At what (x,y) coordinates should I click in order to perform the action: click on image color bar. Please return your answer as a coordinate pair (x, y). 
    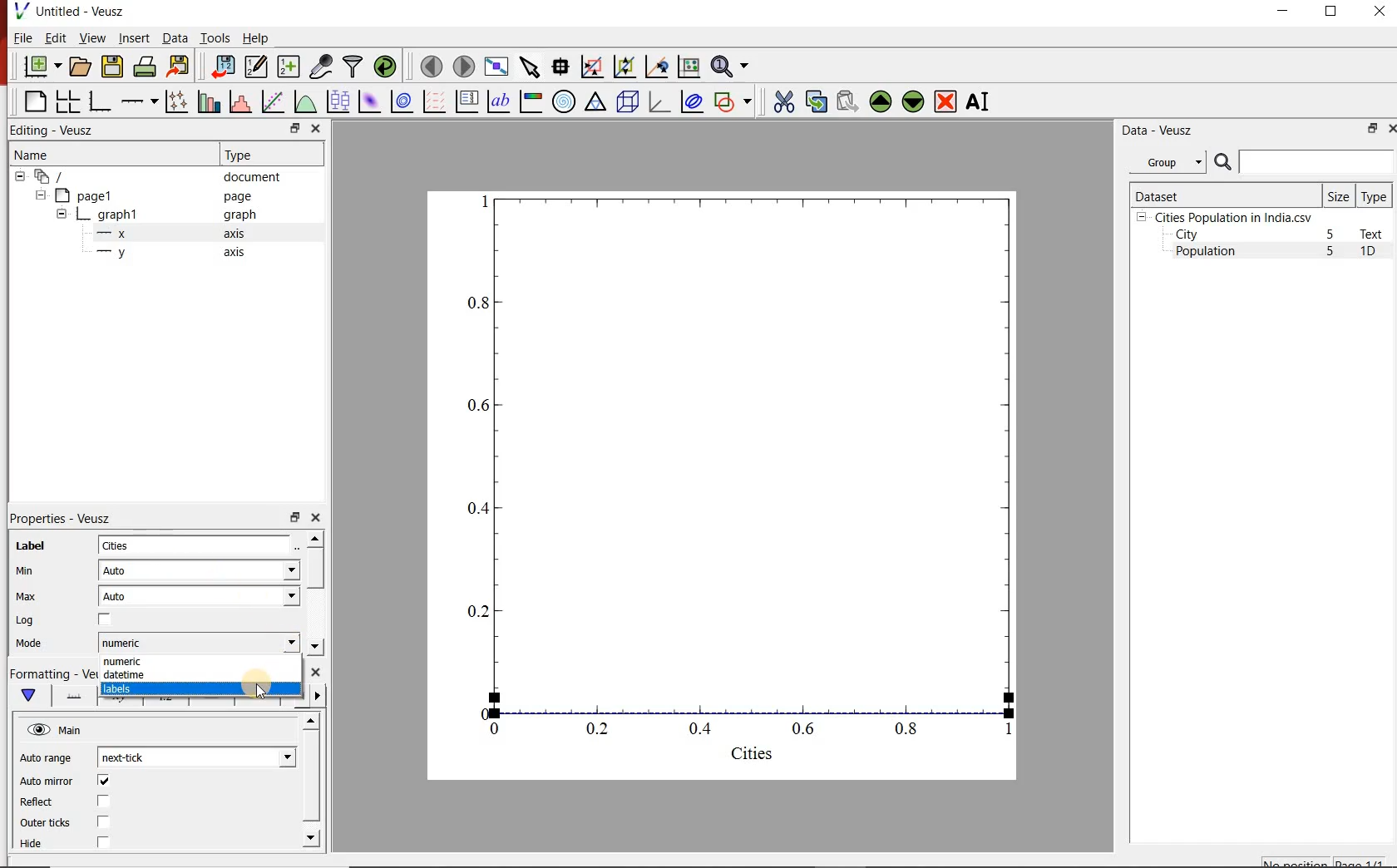
    Looking at the image, I should click on (531, 101).